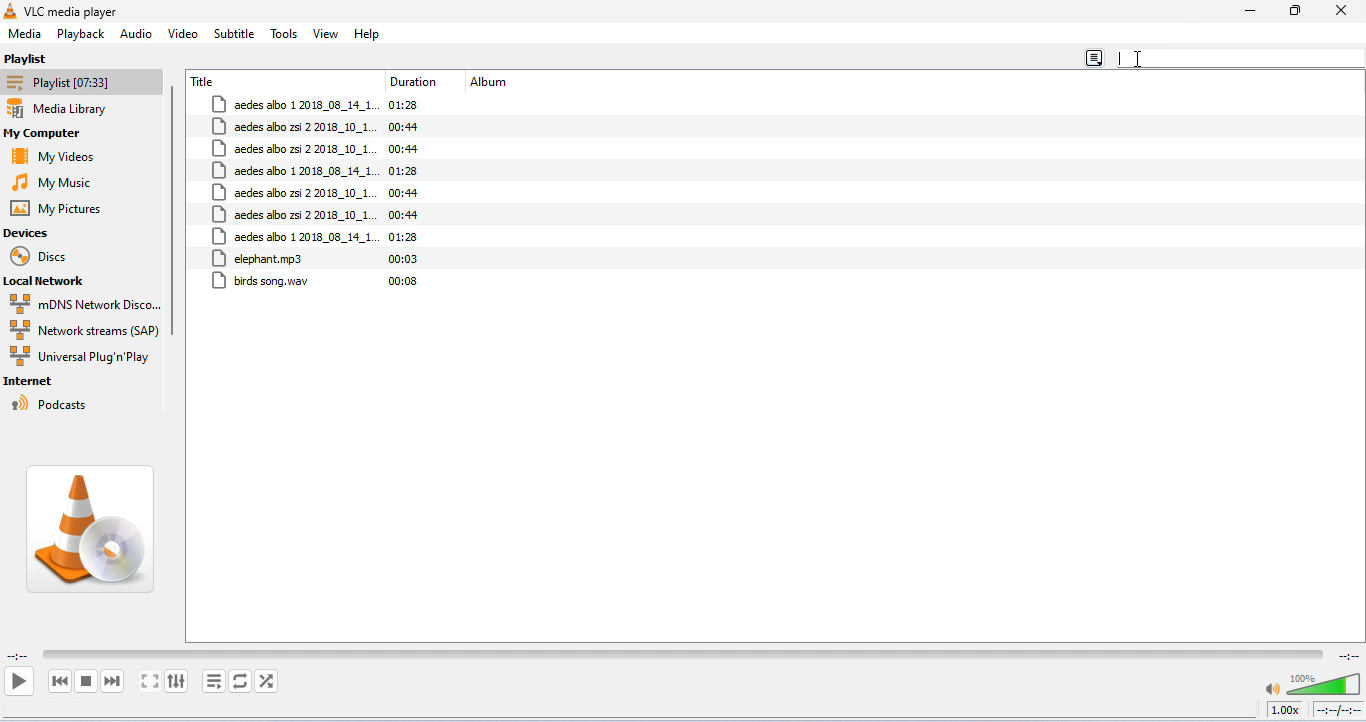 Image resolution: width=1366 pixels, height=722 pixels. Describe the element at coordinates (405, 259) in the screenshot. I see `00:03` at that location.